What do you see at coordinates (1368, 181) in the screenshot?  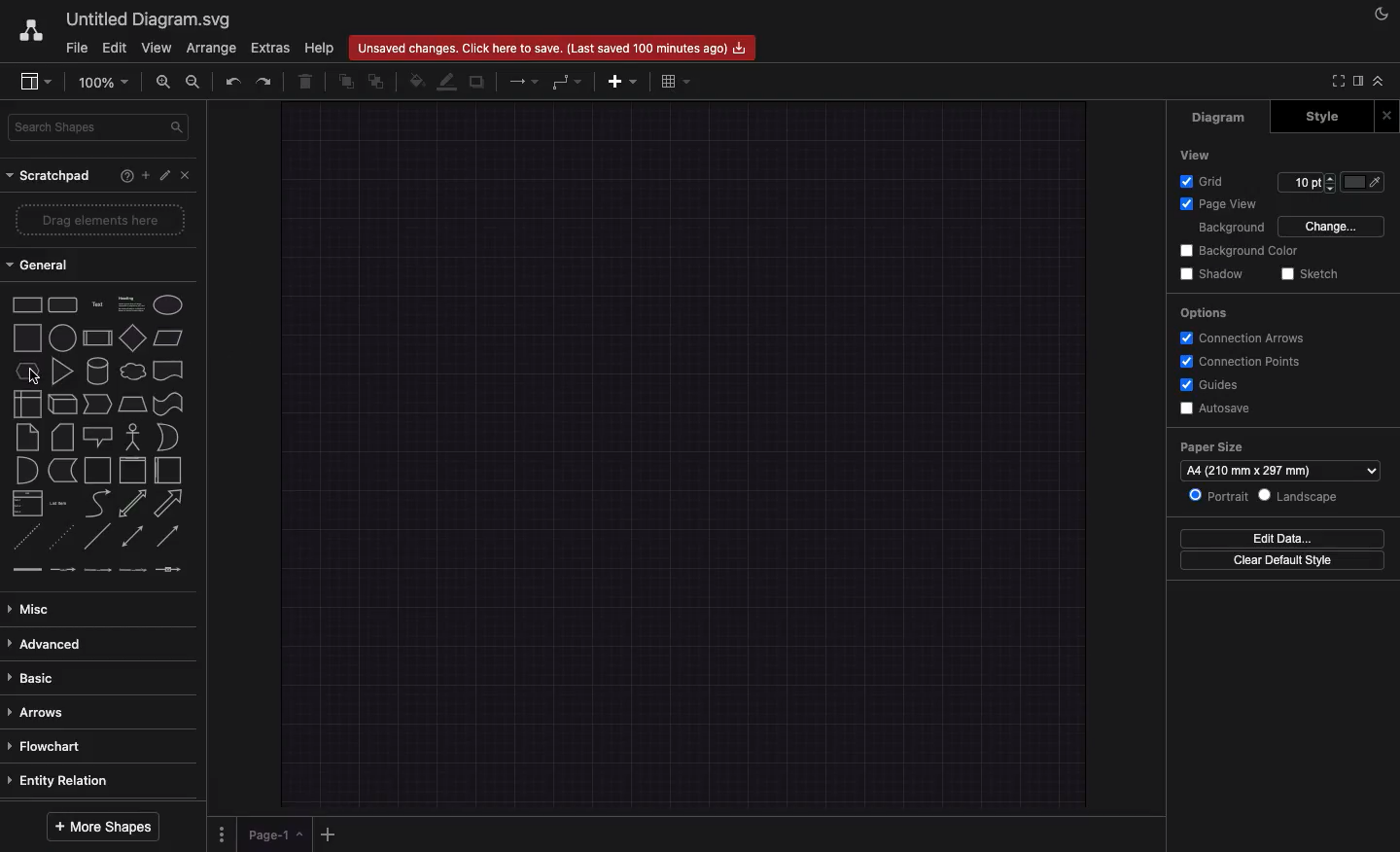 I see `Fill color` at bounding box center [1368, 181].